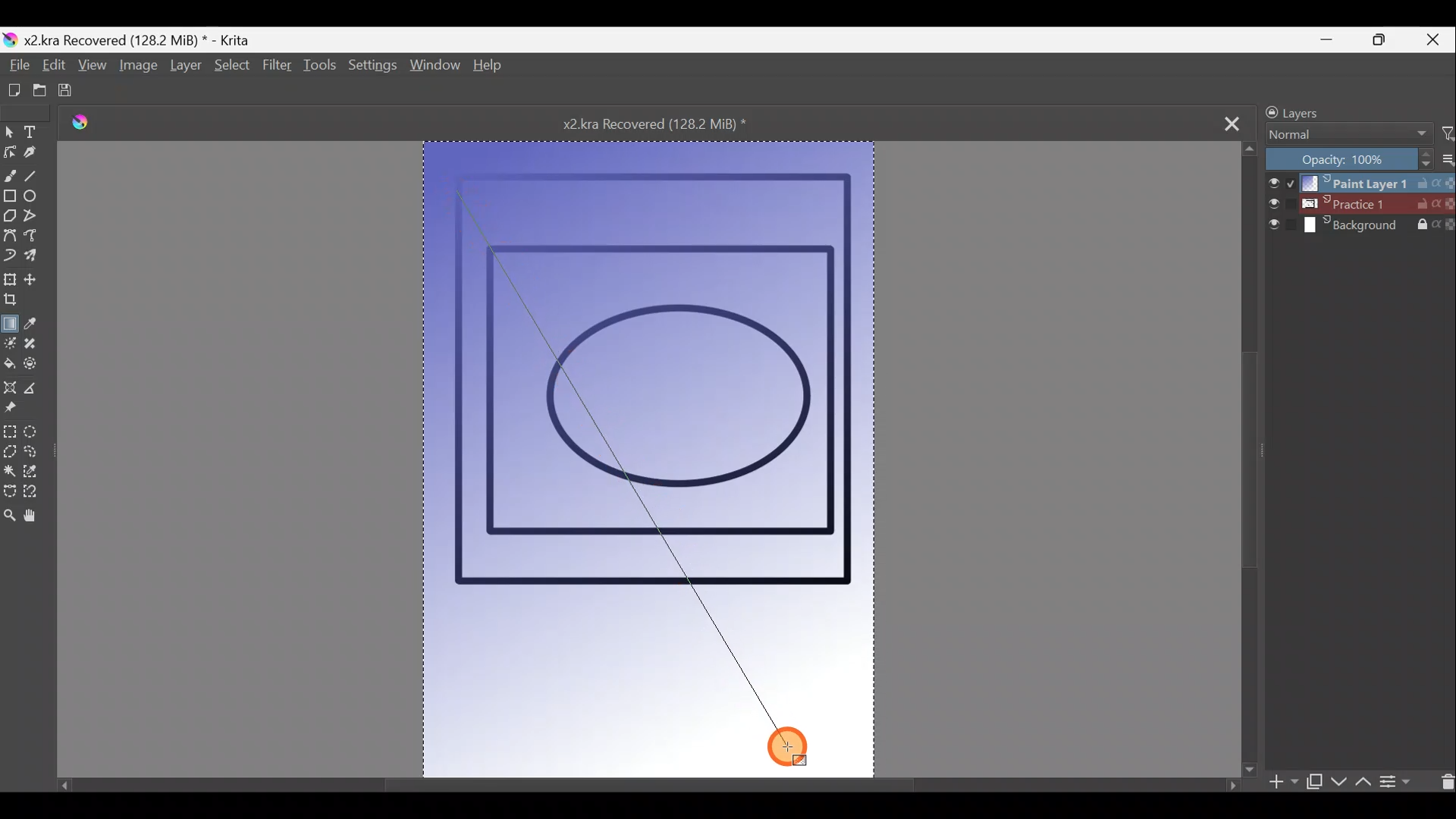 The image size is (1456, 819). What do you see at coordinates (1402, 780) in the screenshot?
I see `View/change layer properties` at bounding box center [1402, 780].